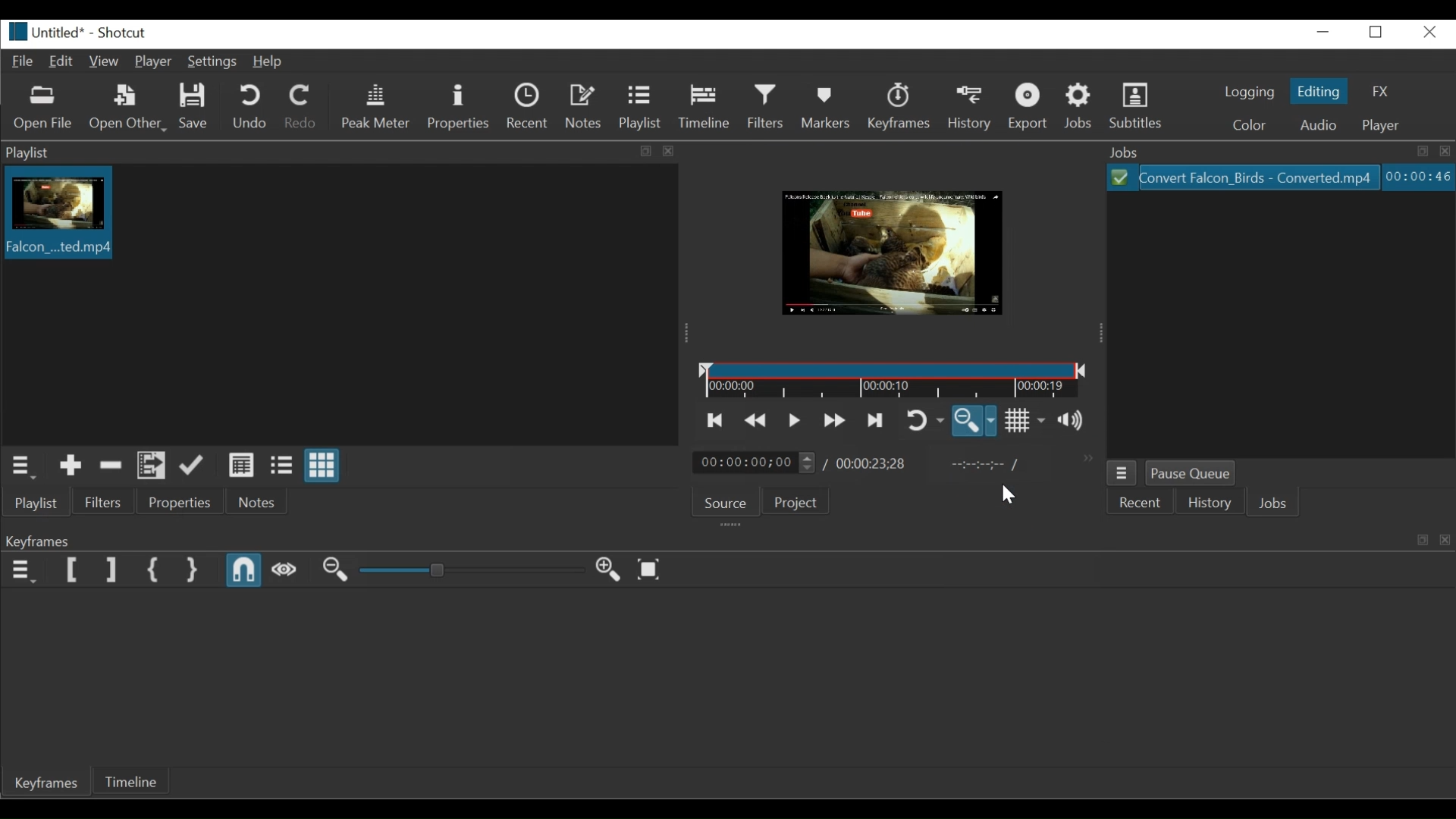  I want to click on History, so click(971, 108).